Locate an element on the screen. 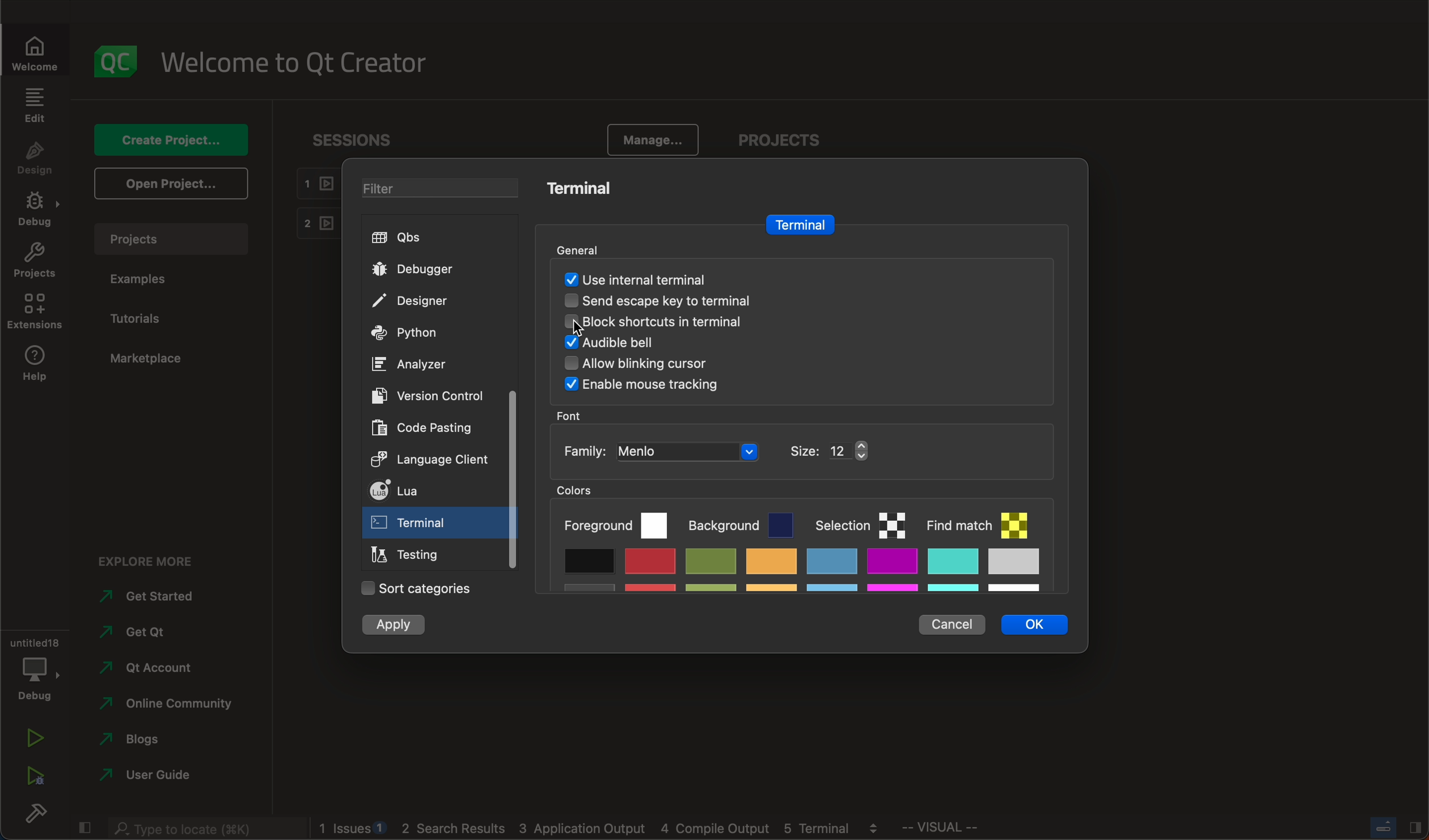 This screenshot has height=840, width=1429. open  is located at coordinates (168, 184).